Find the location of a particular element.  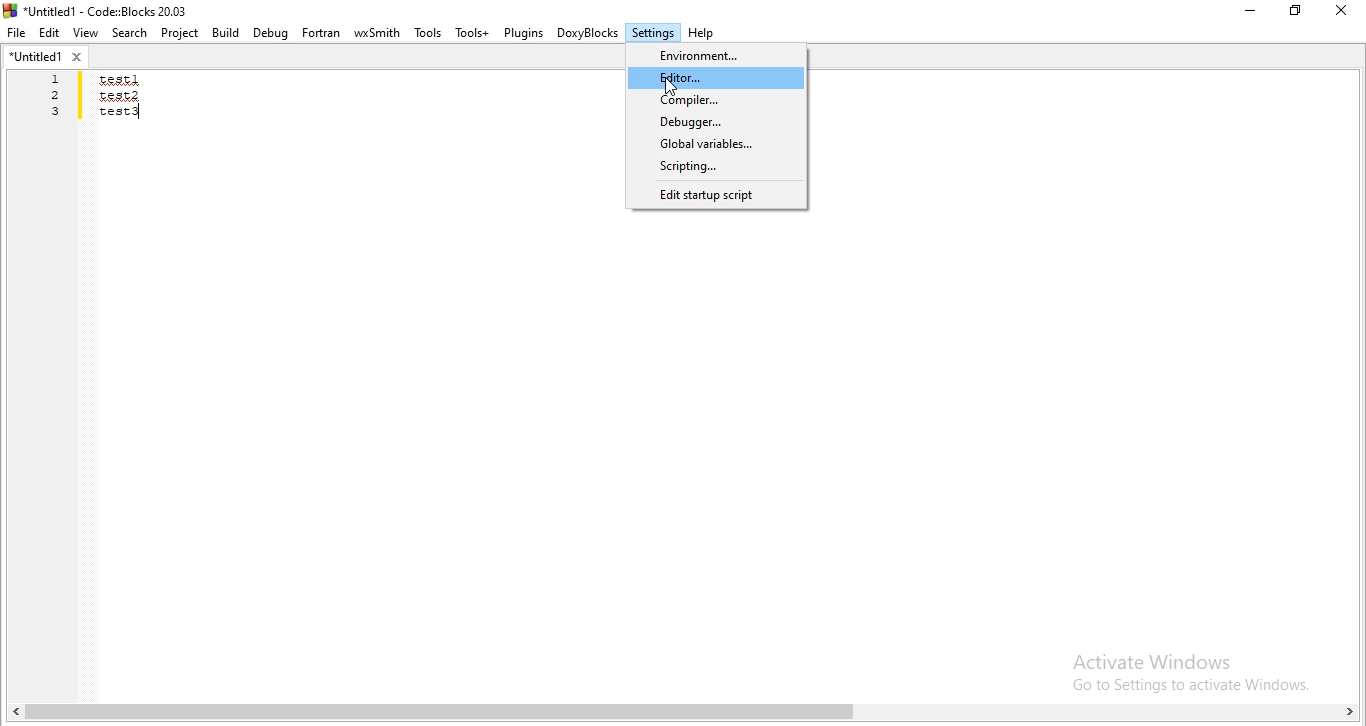

*Untitled1 - Code:Blocks 20.03 is located at coordinates (102, 9).